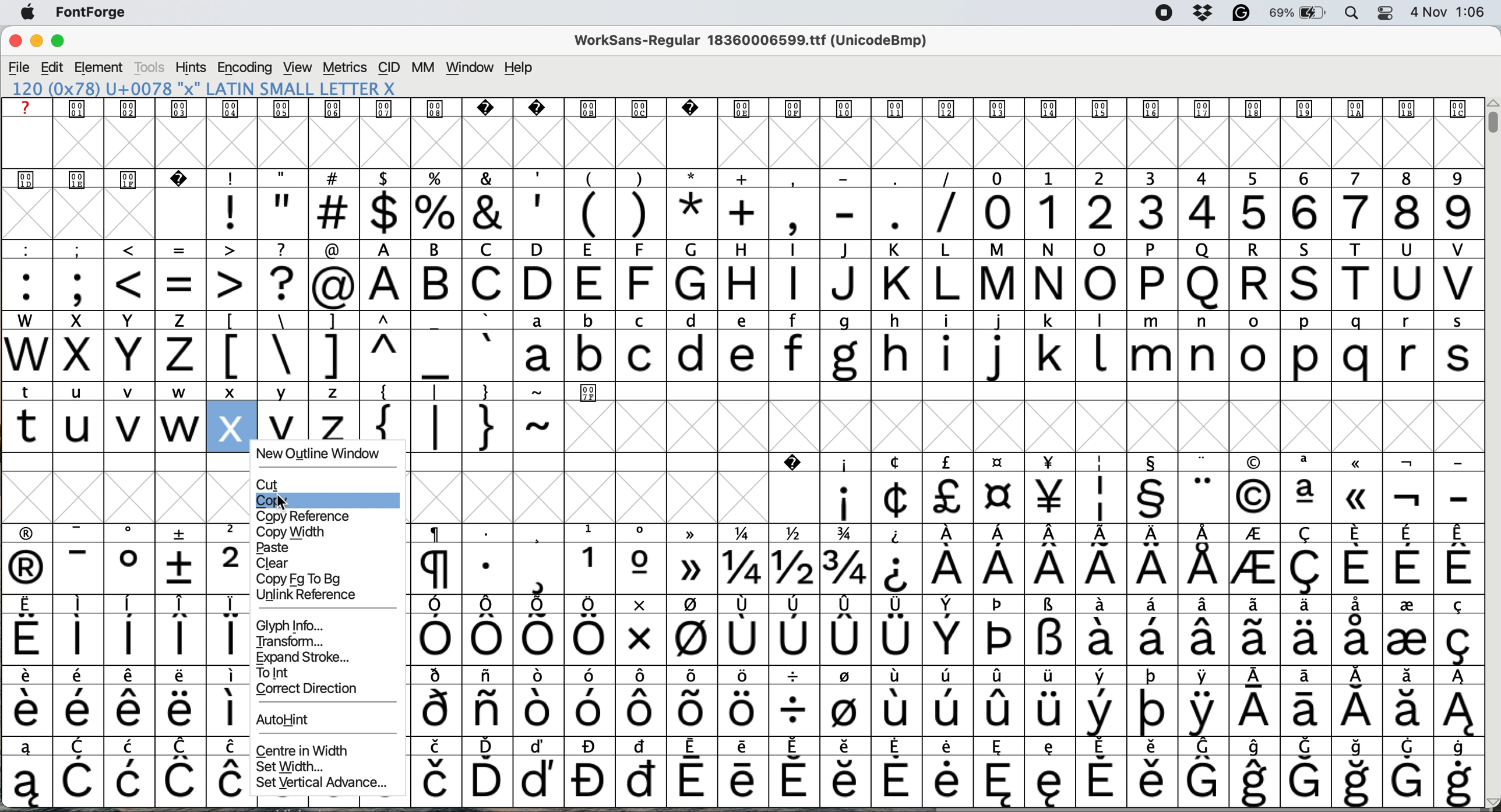 This screenshot has height=812, width=1501. Describe the element at coordinates (269, 484) in the screenshot. I see `cut` at that location.